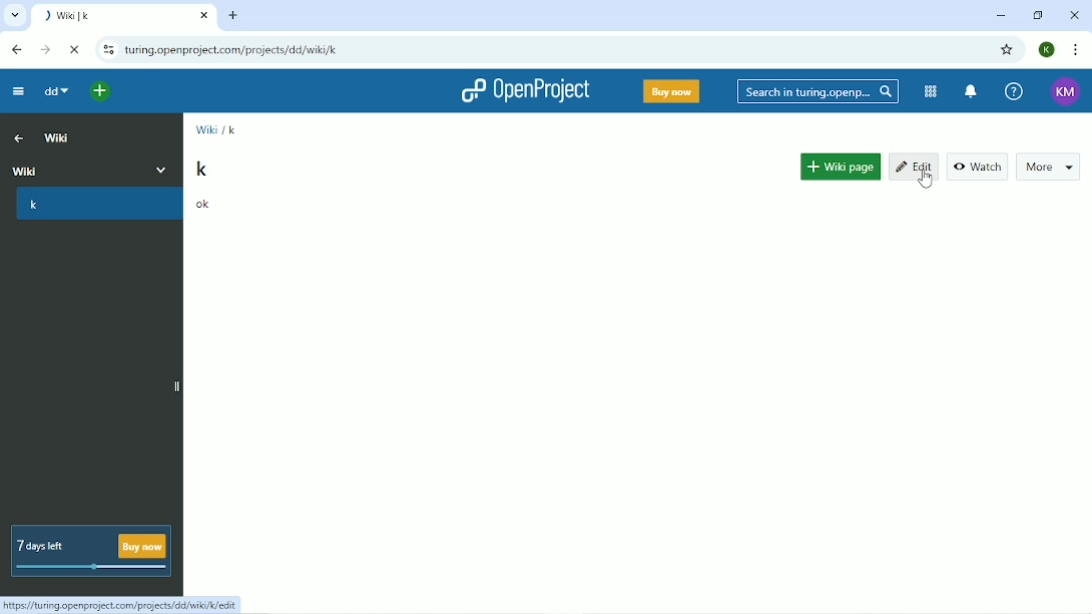 The image size is (1092, 614). What do you see at coordinates (1048, 164) in the screenshot?
I see `More` at bounding box center [1048, 164].